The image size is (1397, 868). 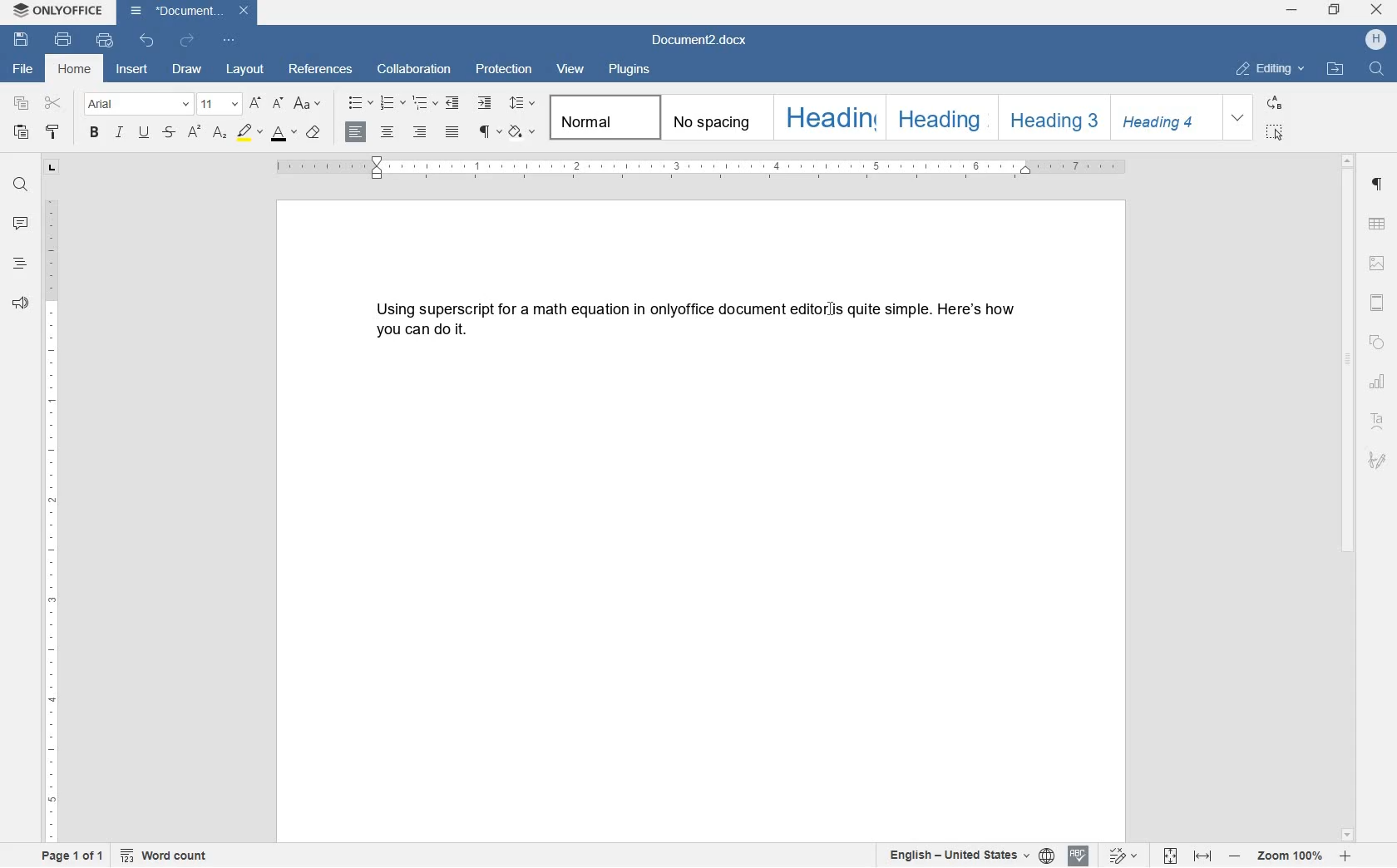 What do you see at coordinates (700, 40) in the screenshot?
I see `Document2.docx` at bounding box center [700, 40].